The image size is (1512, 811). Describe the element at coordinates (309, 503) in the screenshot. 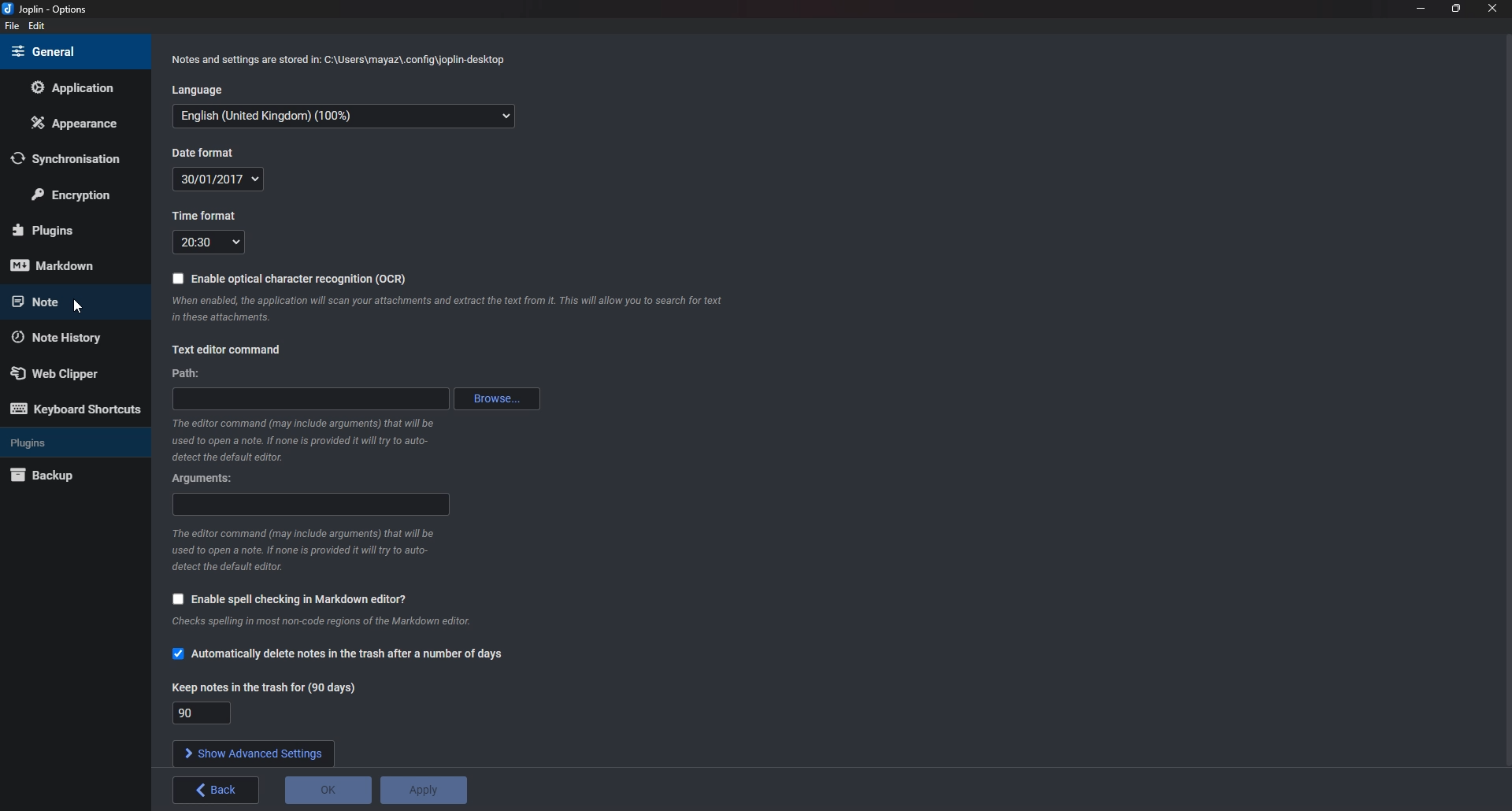

I see `Arguments` at that location.